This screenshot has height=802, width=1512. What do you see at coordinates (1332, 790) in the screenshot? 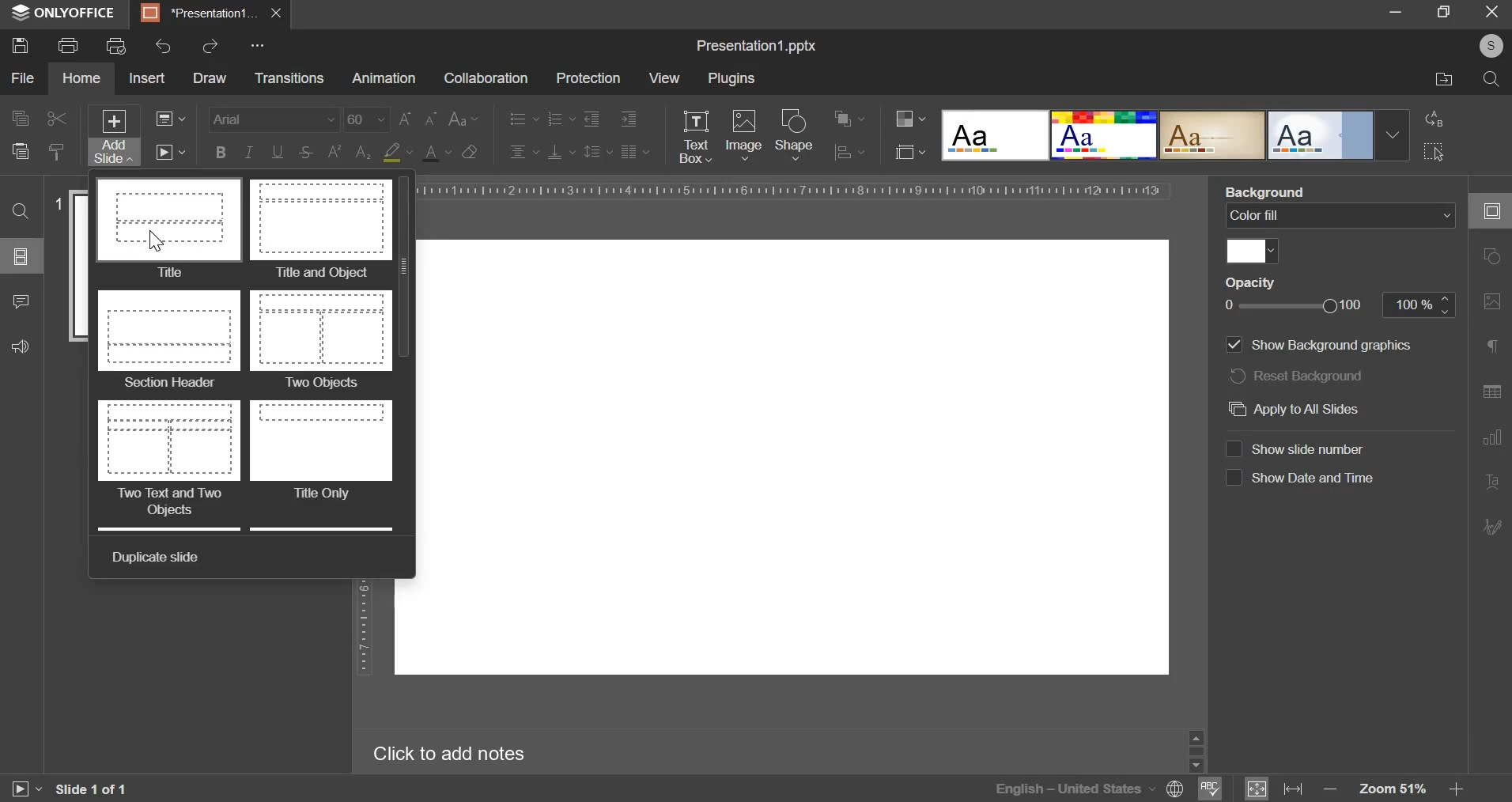
I see `zoom out` at bounding box center [1332, 790].